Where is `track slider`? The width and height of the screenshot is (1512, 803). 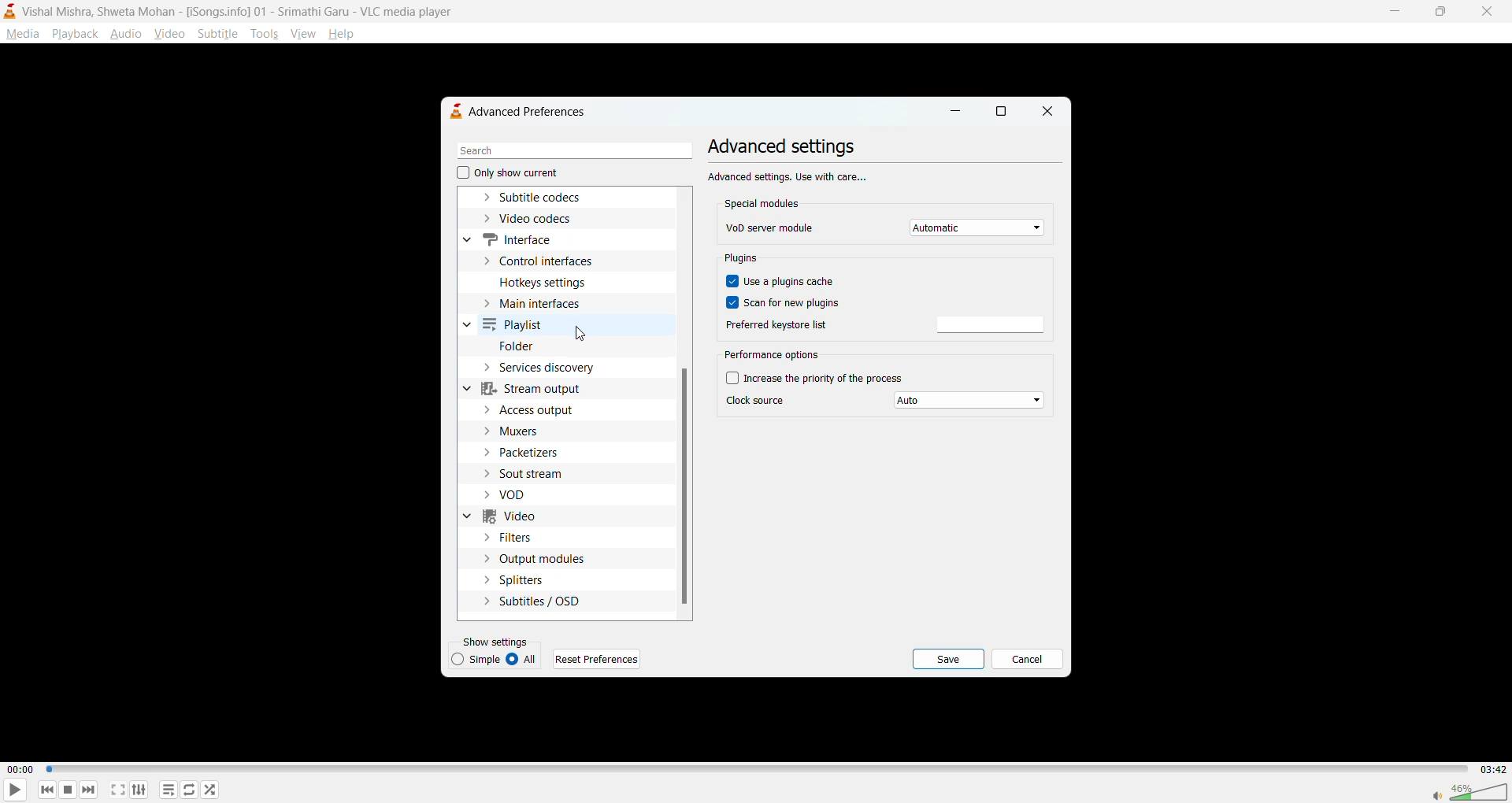 track slider is located at coordinates (754, 770).